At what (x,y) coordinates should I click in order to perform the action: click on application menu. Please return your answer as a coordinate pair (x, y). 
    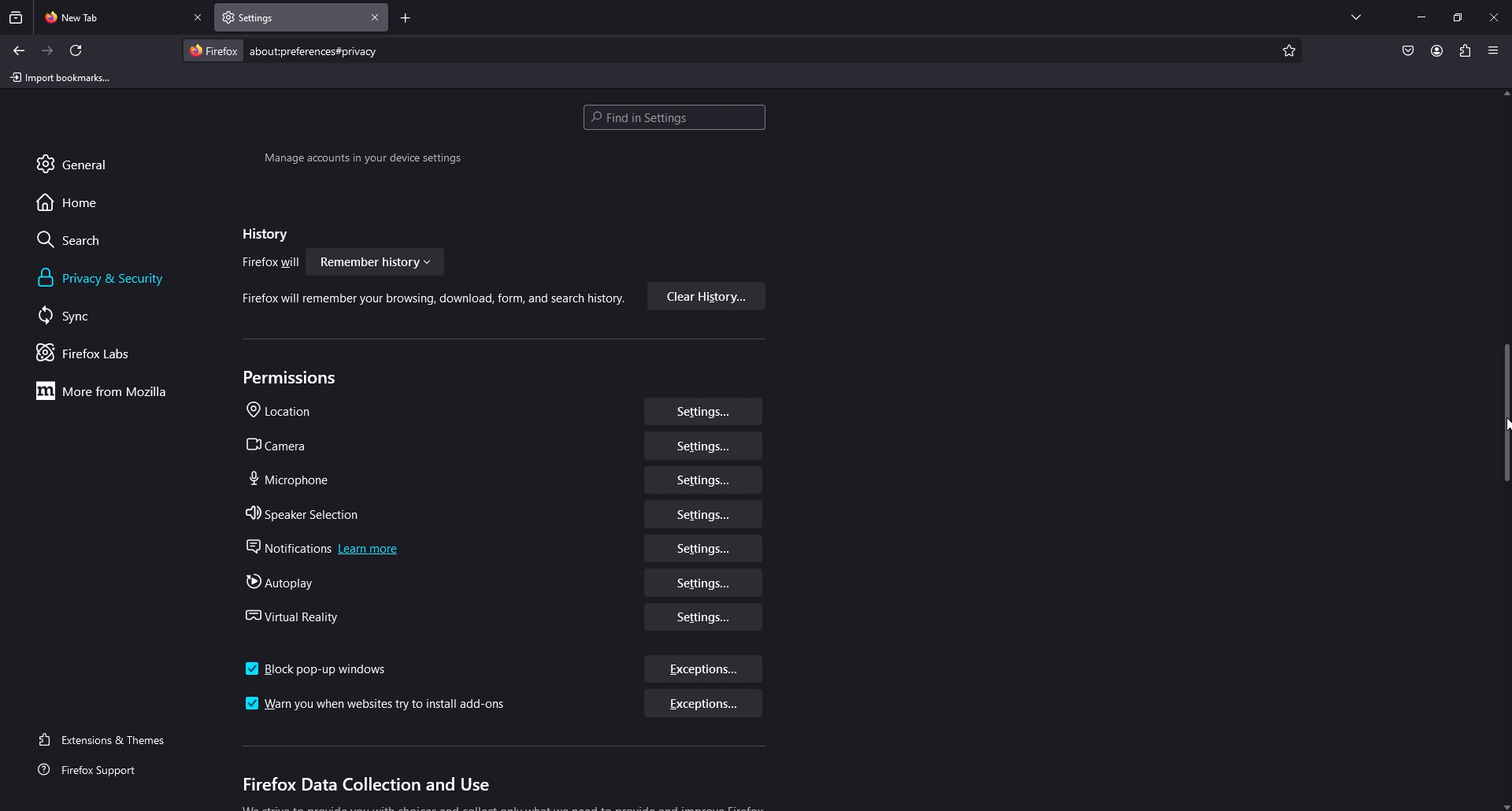
    Looking at the image, I should click on (1492, 50).